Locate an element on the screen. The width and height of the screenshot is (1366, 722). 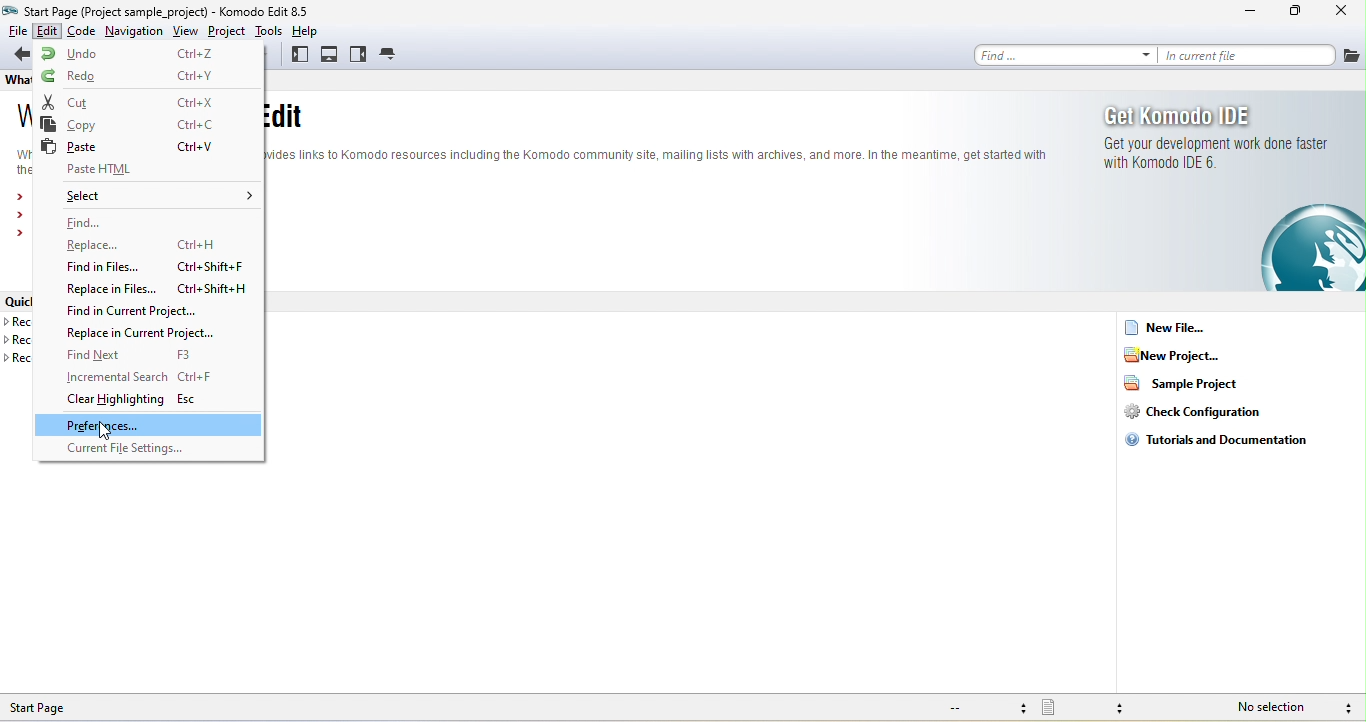
minimize is located at coordinates (1235, 11).